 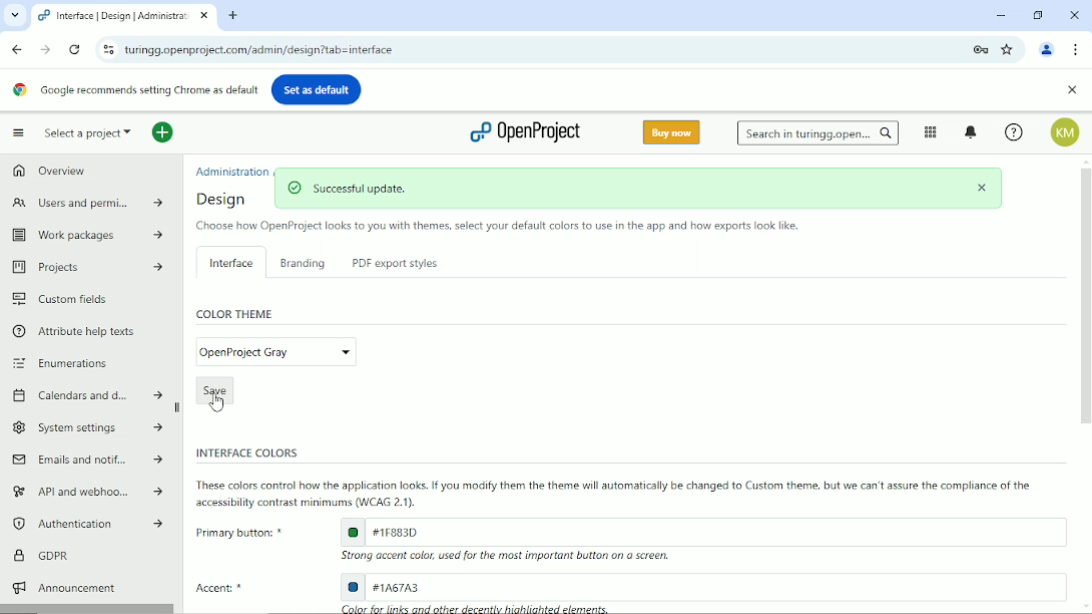 What do you see at coordinates (18, 133) in the screenshot?
I see `Collapse project menu` at bounding box center [18, 133].